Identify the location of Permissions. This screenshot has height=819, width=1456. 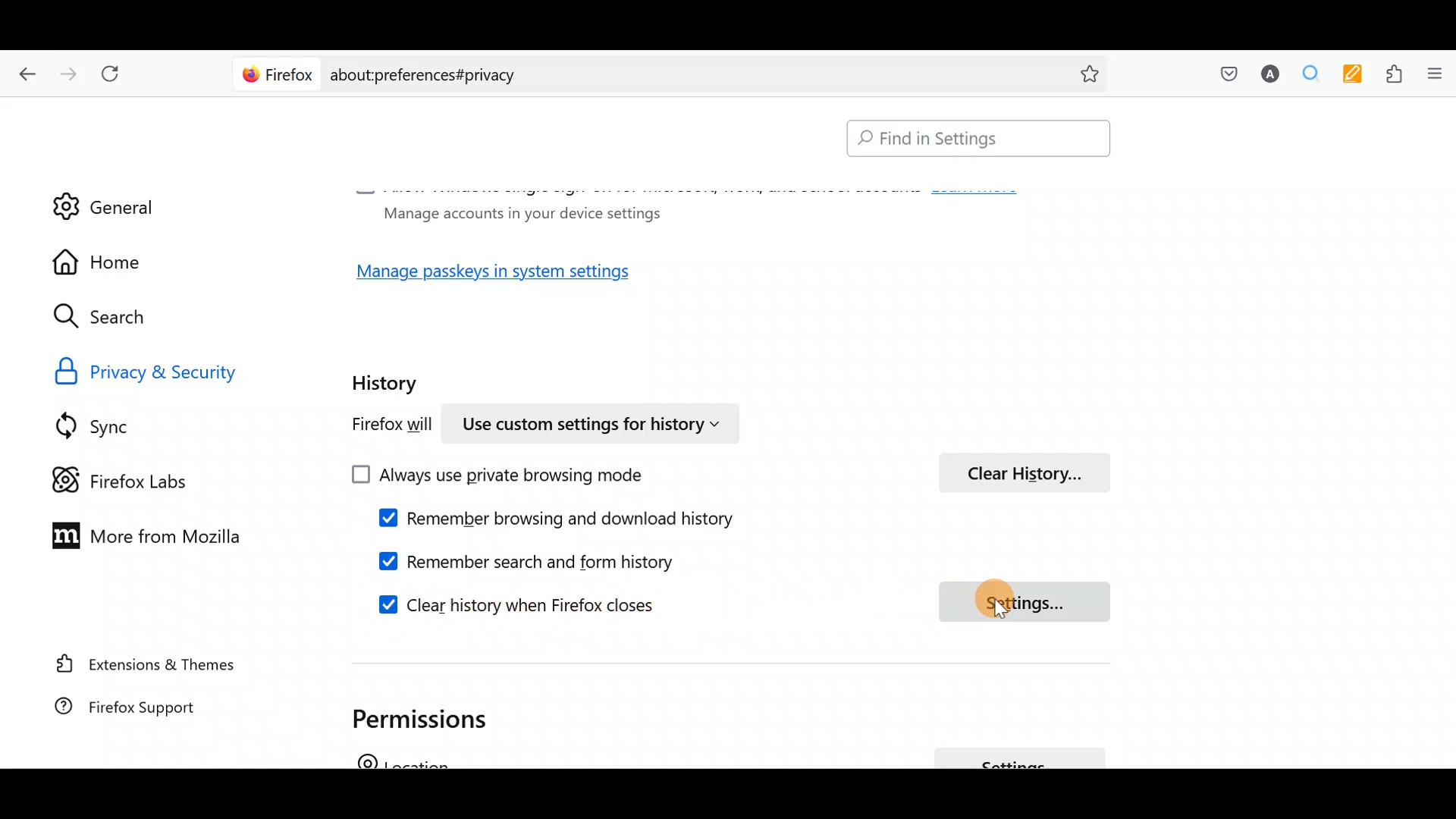
(429, 715).